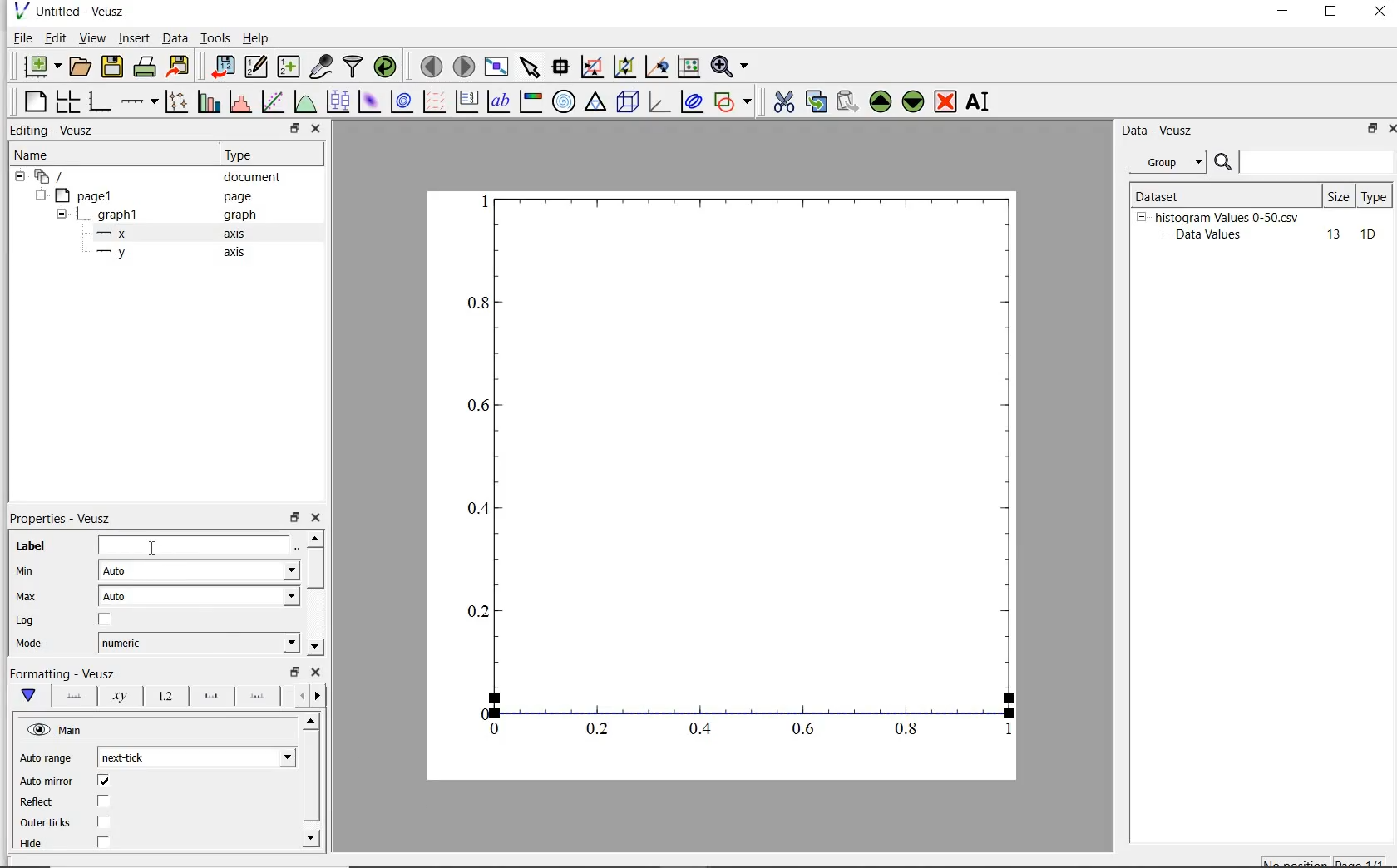 The height and width of the screenshot is (868, 1397). Describe the element at coordinates (239, 102) in the screenshot. I see `histogram of a dataset` at that location.